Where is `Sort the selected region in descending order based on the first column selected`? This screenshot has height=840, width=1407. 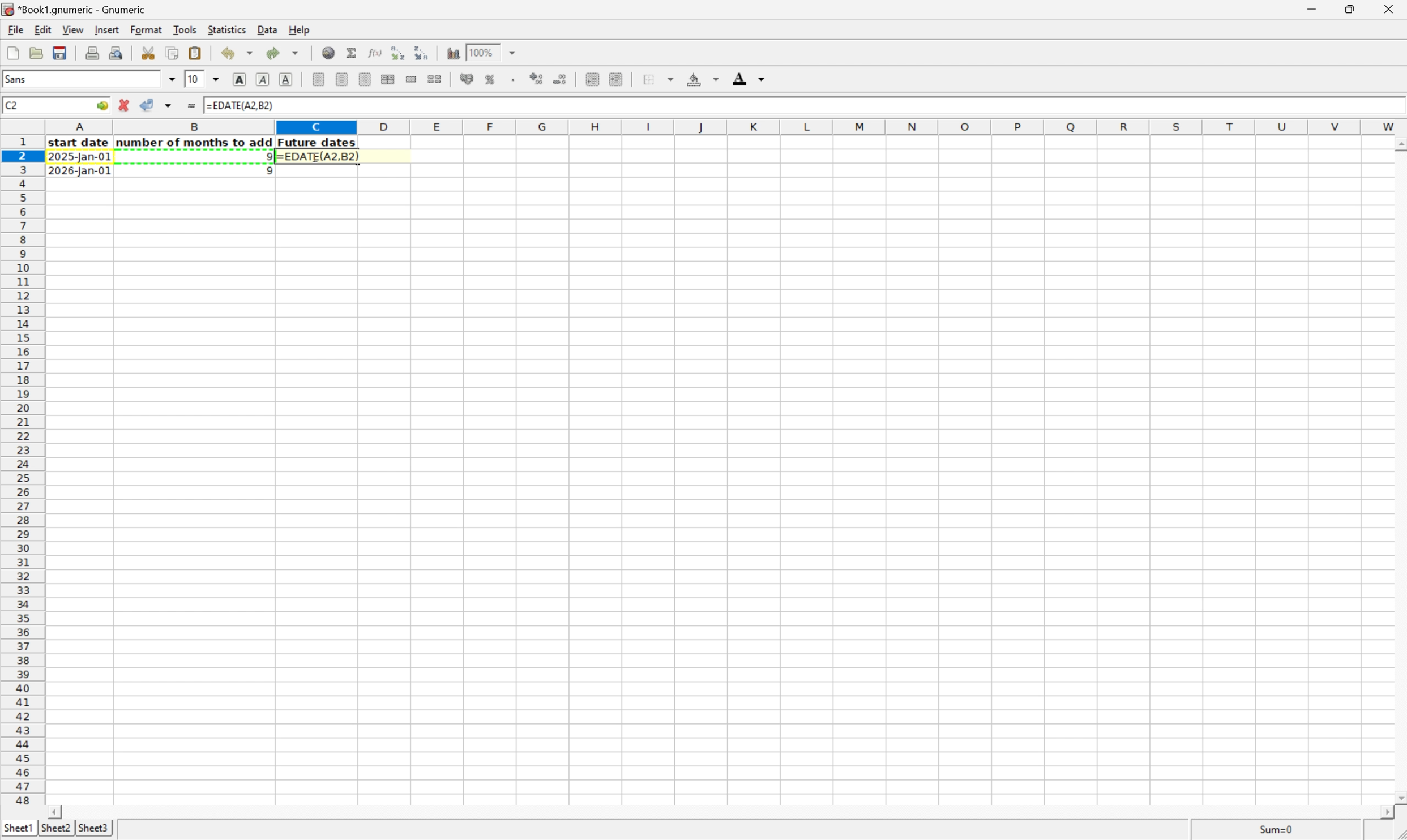
Sort the selected region in descending order based on the first column selected is located at coordinates (423, 52).